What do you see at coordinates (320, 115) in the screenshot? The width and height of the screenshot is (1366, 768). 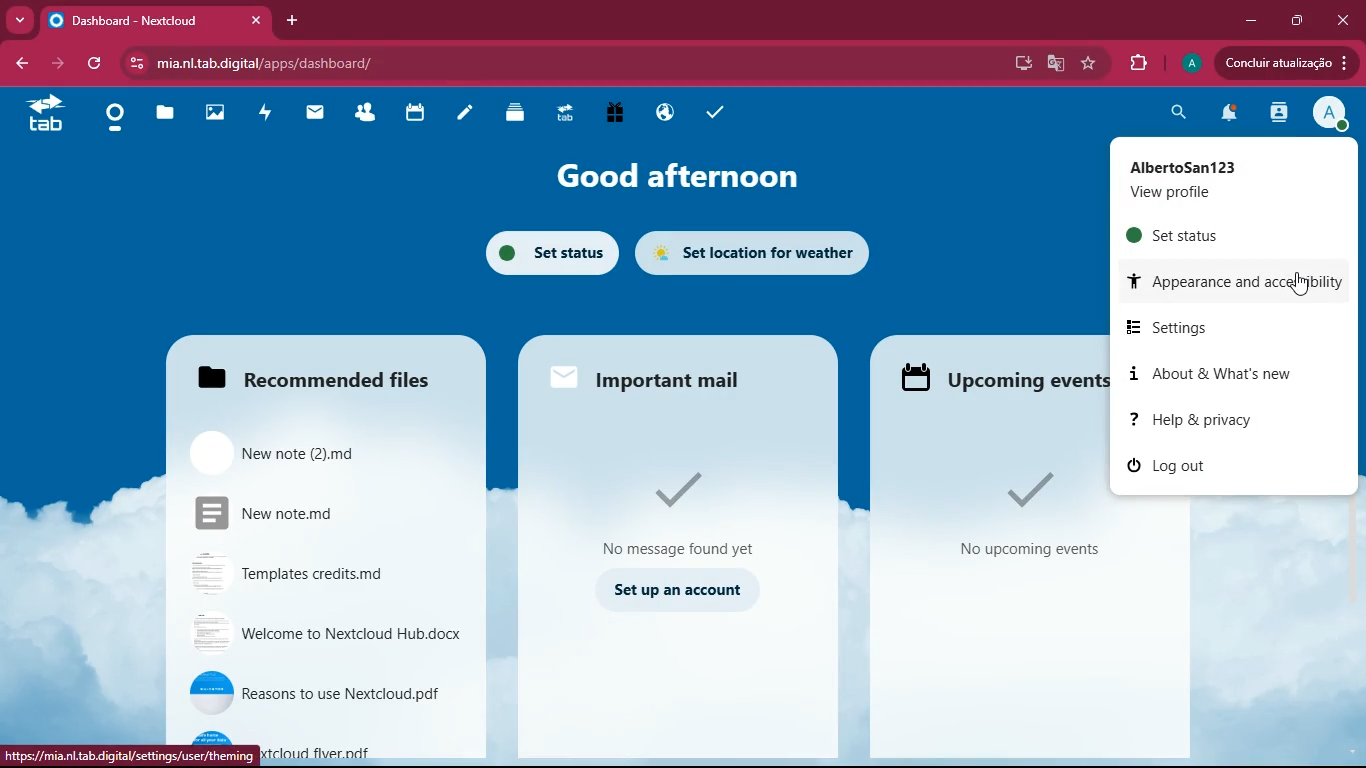 I see `mail` at bounding box center [320, 115].